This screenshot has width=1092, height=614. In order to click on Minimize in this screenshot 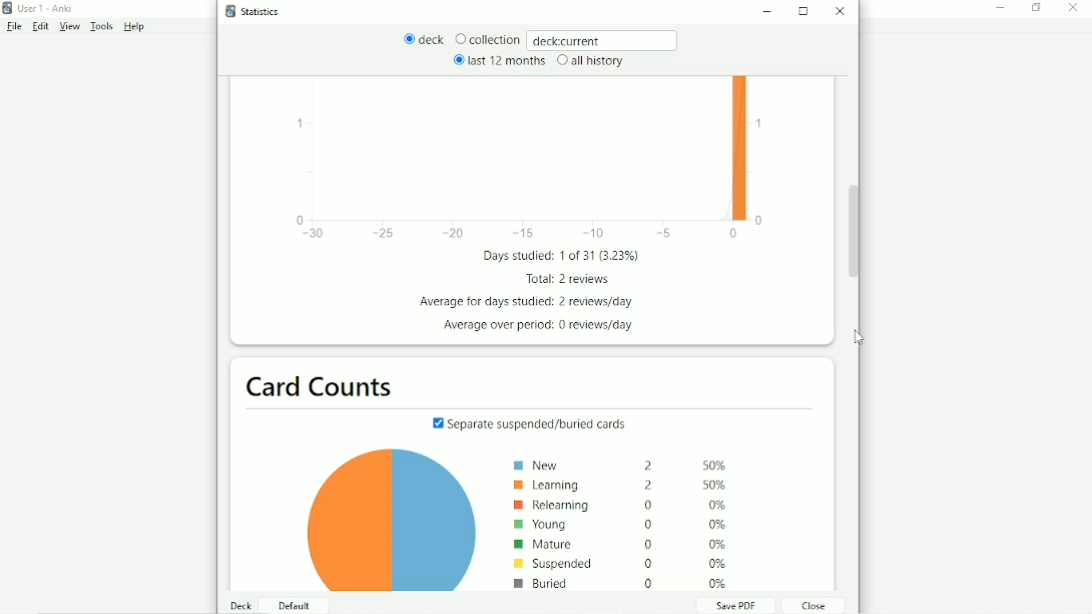, I will do `click(771, 13)`.